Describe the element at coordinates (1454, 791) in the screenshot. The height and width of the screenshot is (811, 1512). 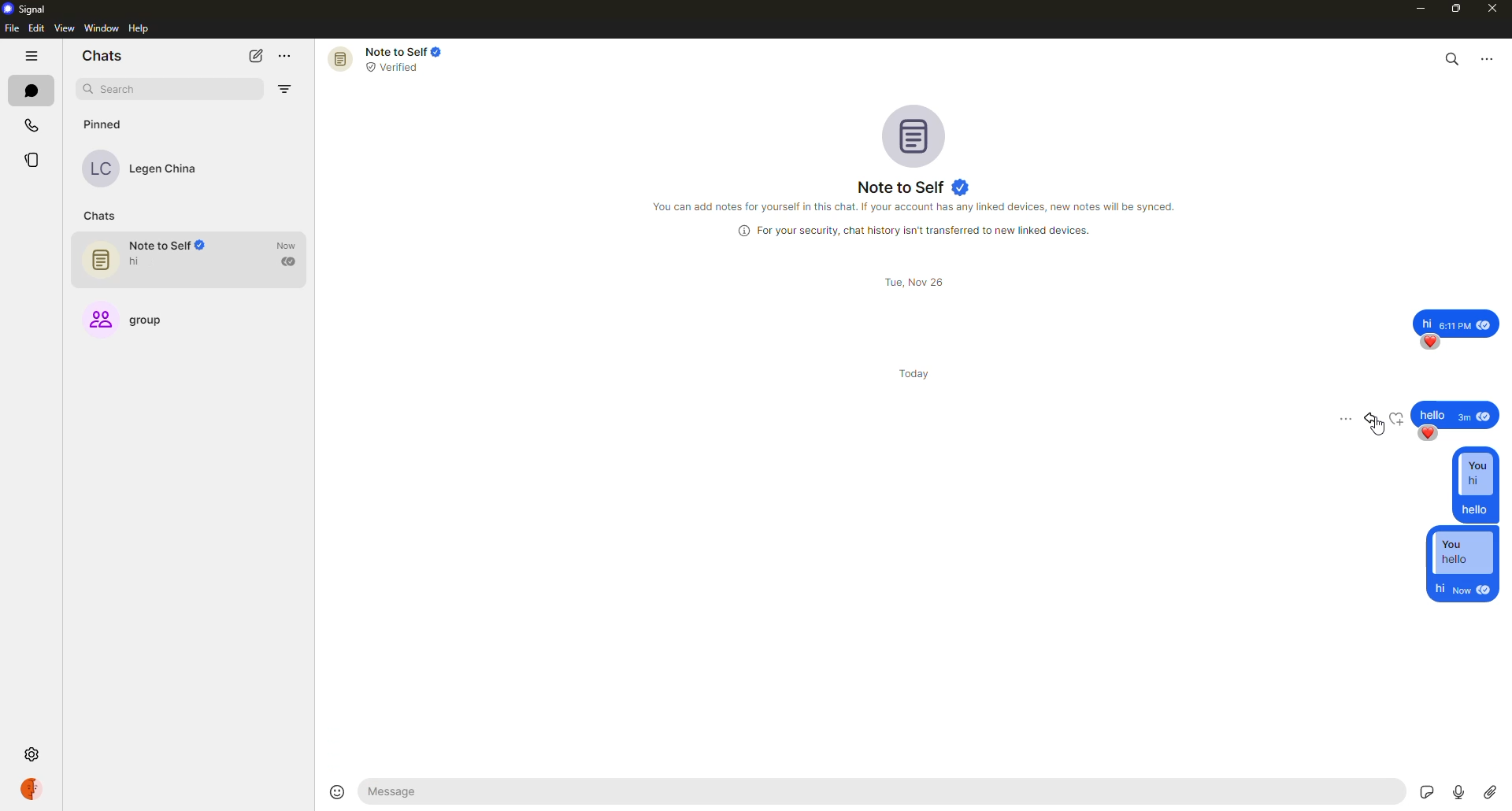
I see `record` at that location.